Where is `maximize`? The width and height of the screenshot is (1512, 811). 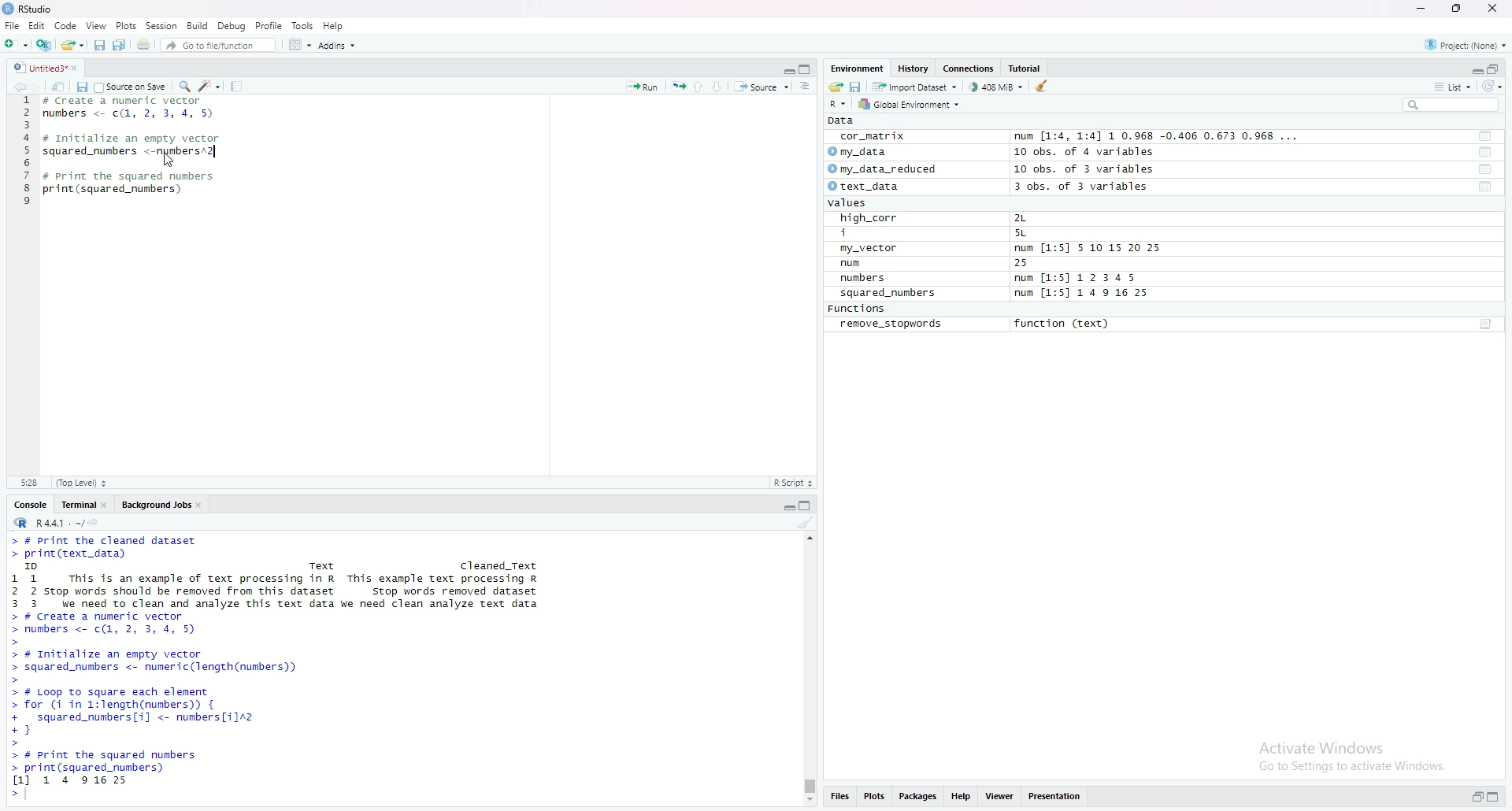 maximize is located at coordinates (1495, 68).